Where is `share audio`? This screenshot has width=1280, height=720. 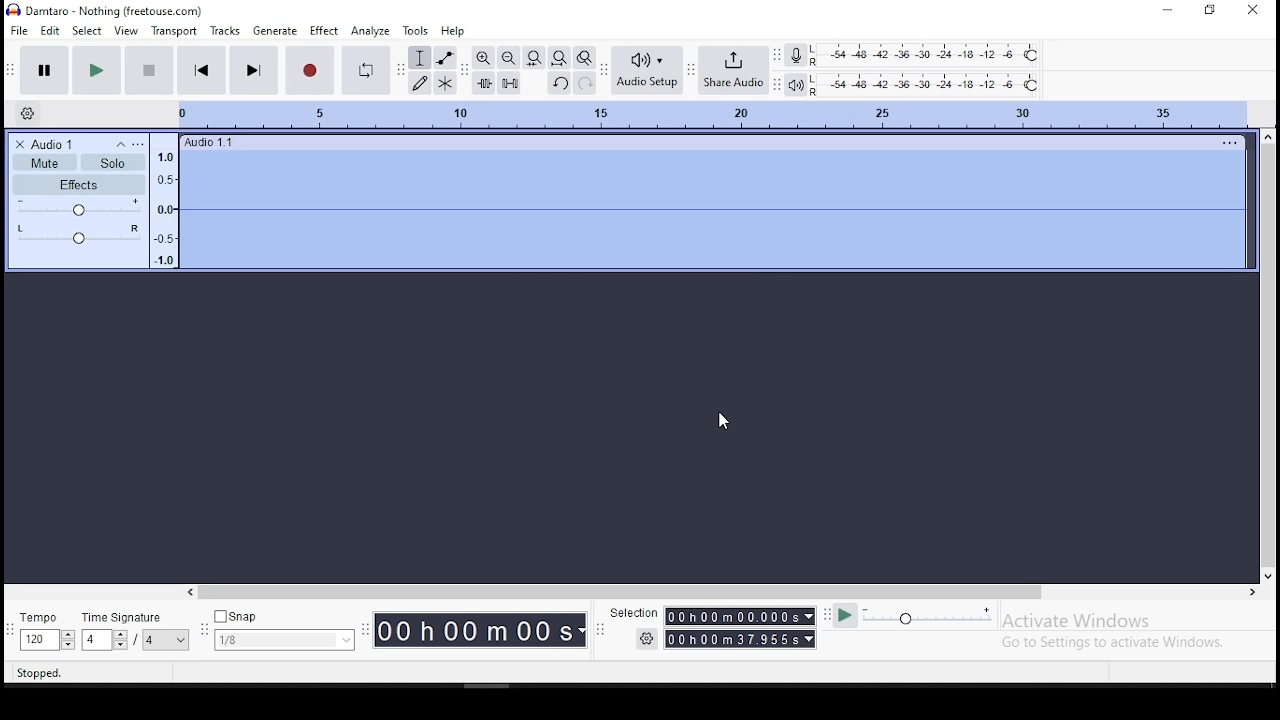 share audio is located at coordinates (734, 71).